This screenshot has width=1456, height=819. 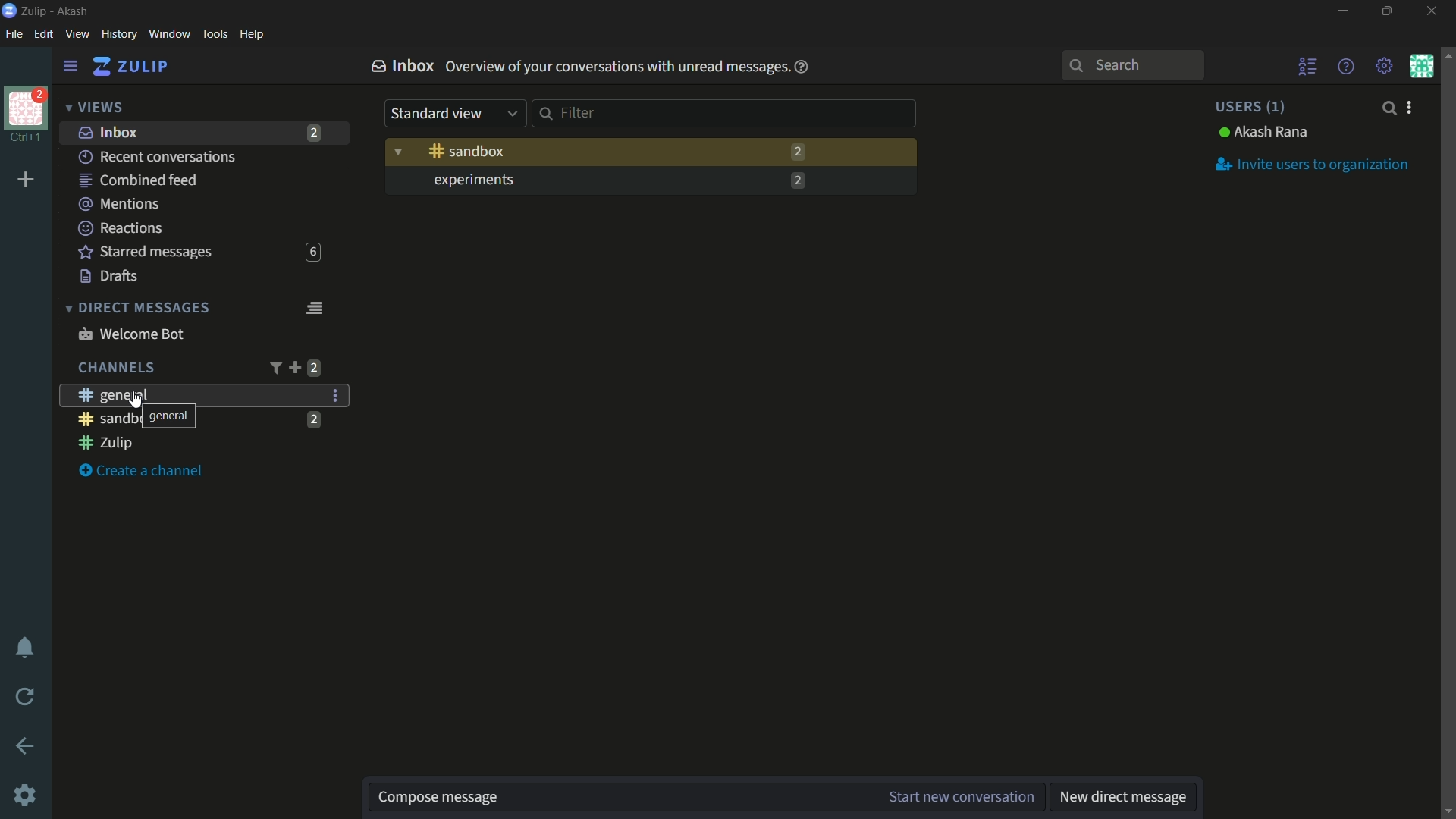 What do you see at coordinates (43, 34) in the screenshot?
I see `edit menu` at bounding box center [43, 34].